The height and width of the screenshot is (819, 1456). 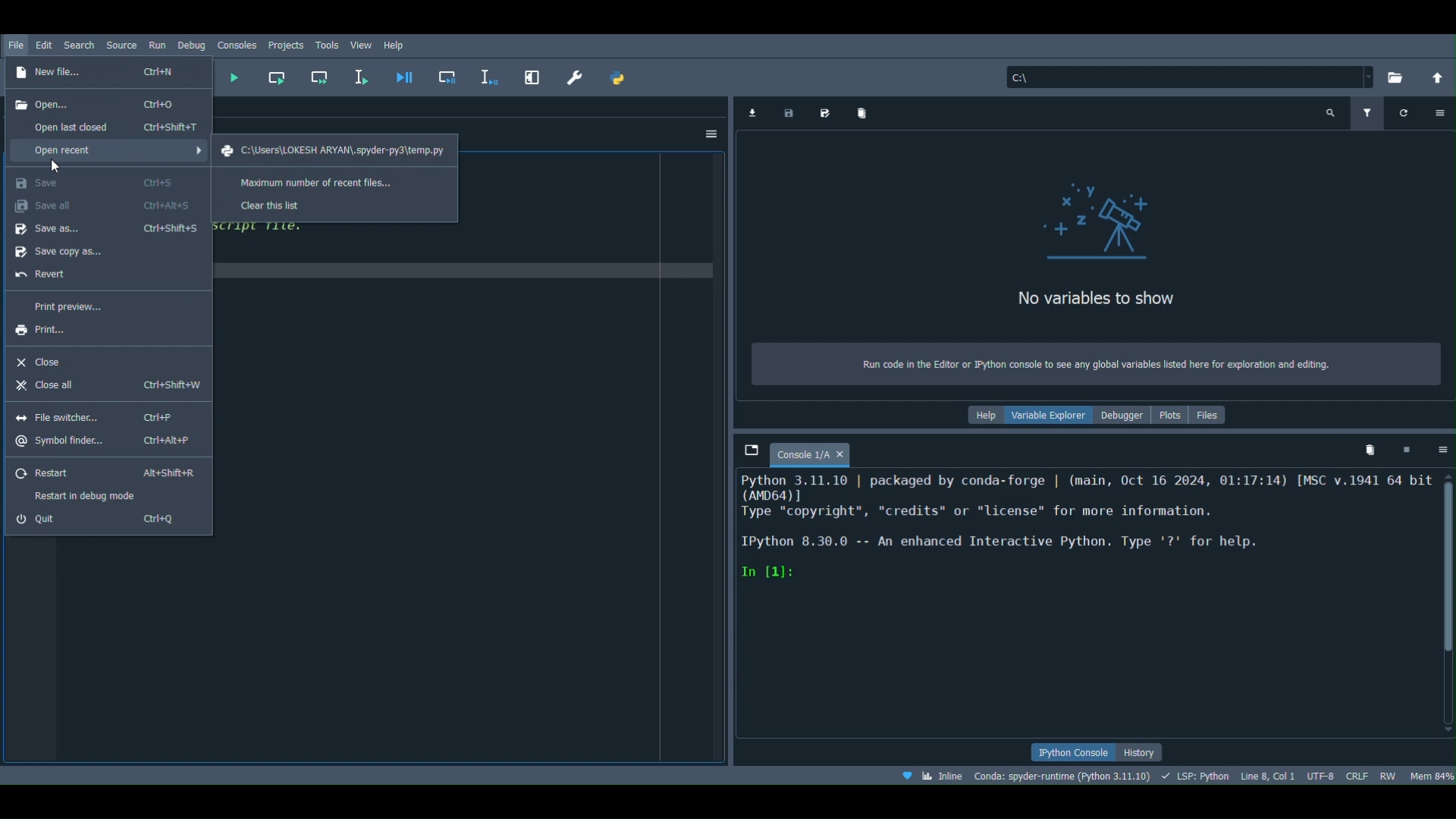 What do you see at coordinates (934, 777) in the screenshot?
I see `Click to toggle between inline and interactive Matplotlib plotting` at bounding box center [934, 777].